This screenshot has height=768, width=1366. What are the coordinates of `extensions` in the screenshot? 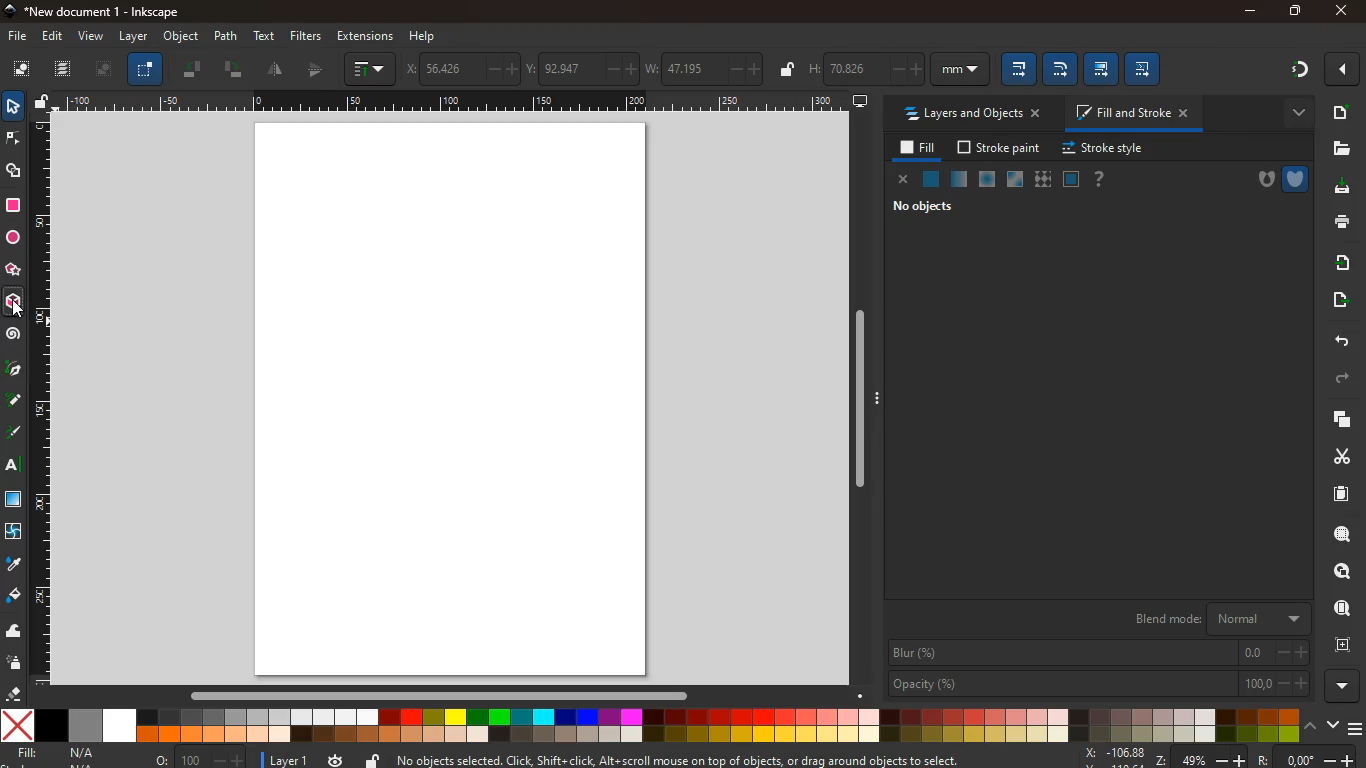 It's located at (364, 36).